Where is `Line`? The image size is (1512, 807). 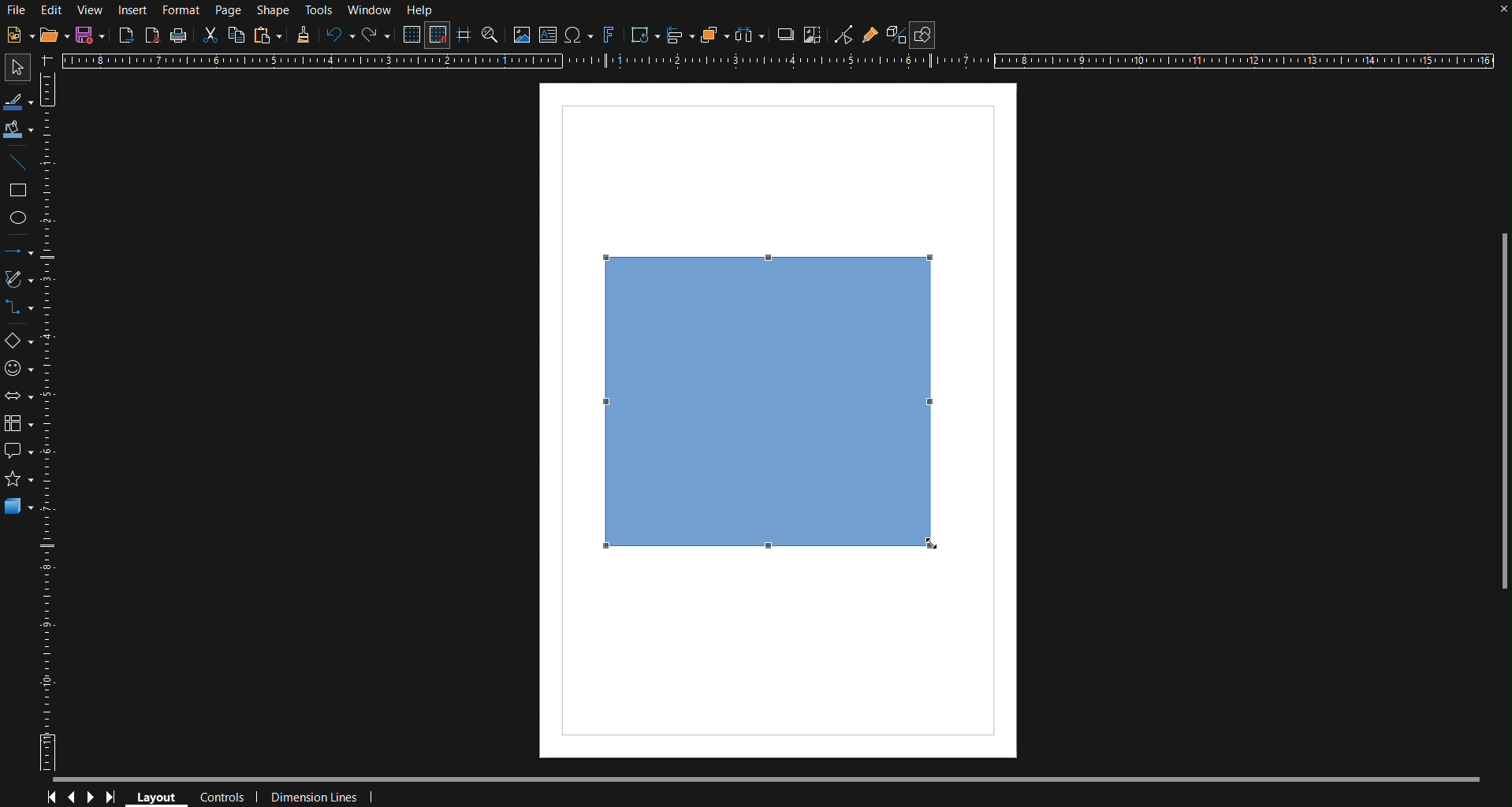 Line is located at coordinates (19, 162).